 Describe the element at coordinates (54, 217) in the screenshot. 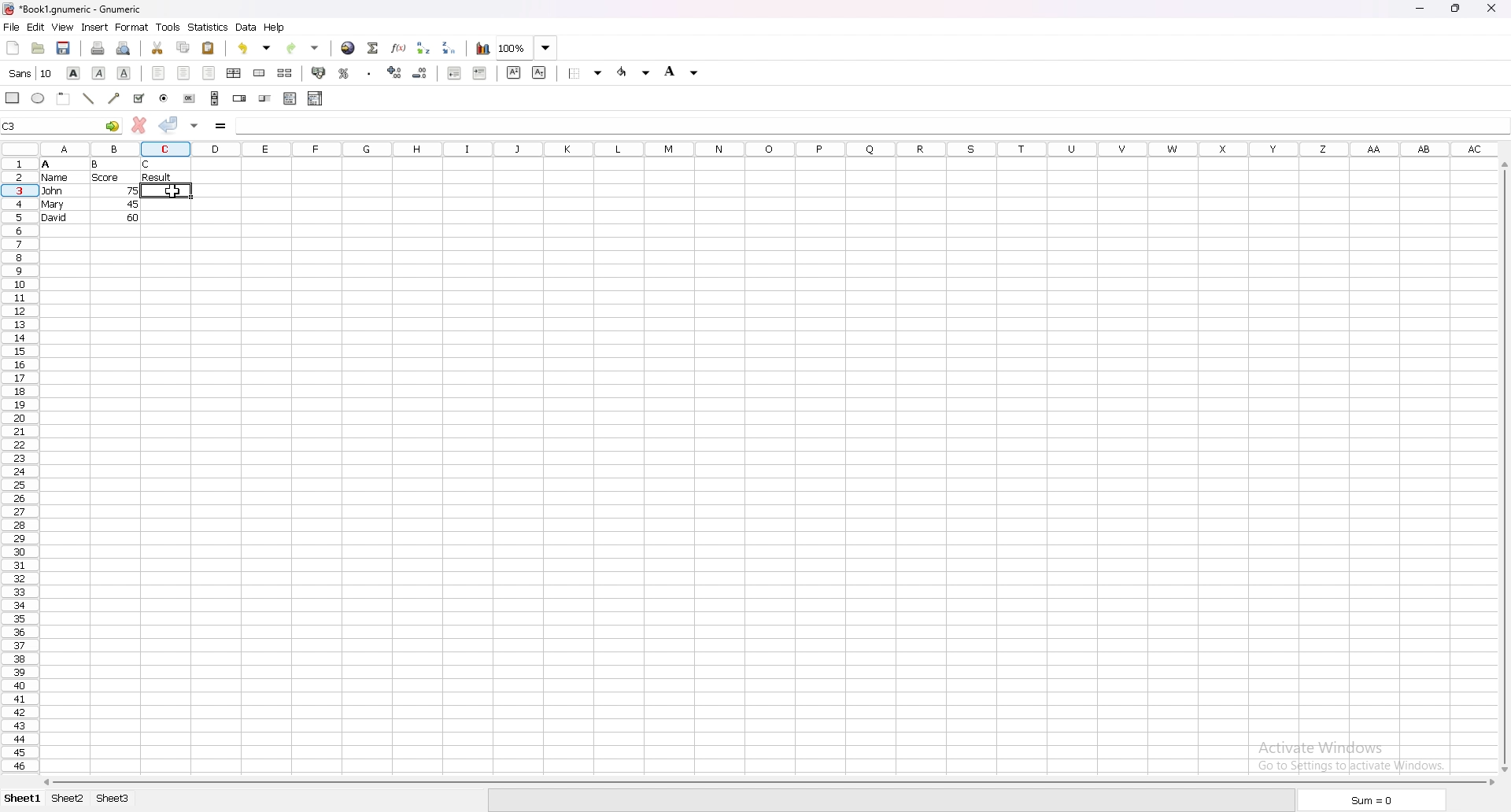

I see `david` at that location.